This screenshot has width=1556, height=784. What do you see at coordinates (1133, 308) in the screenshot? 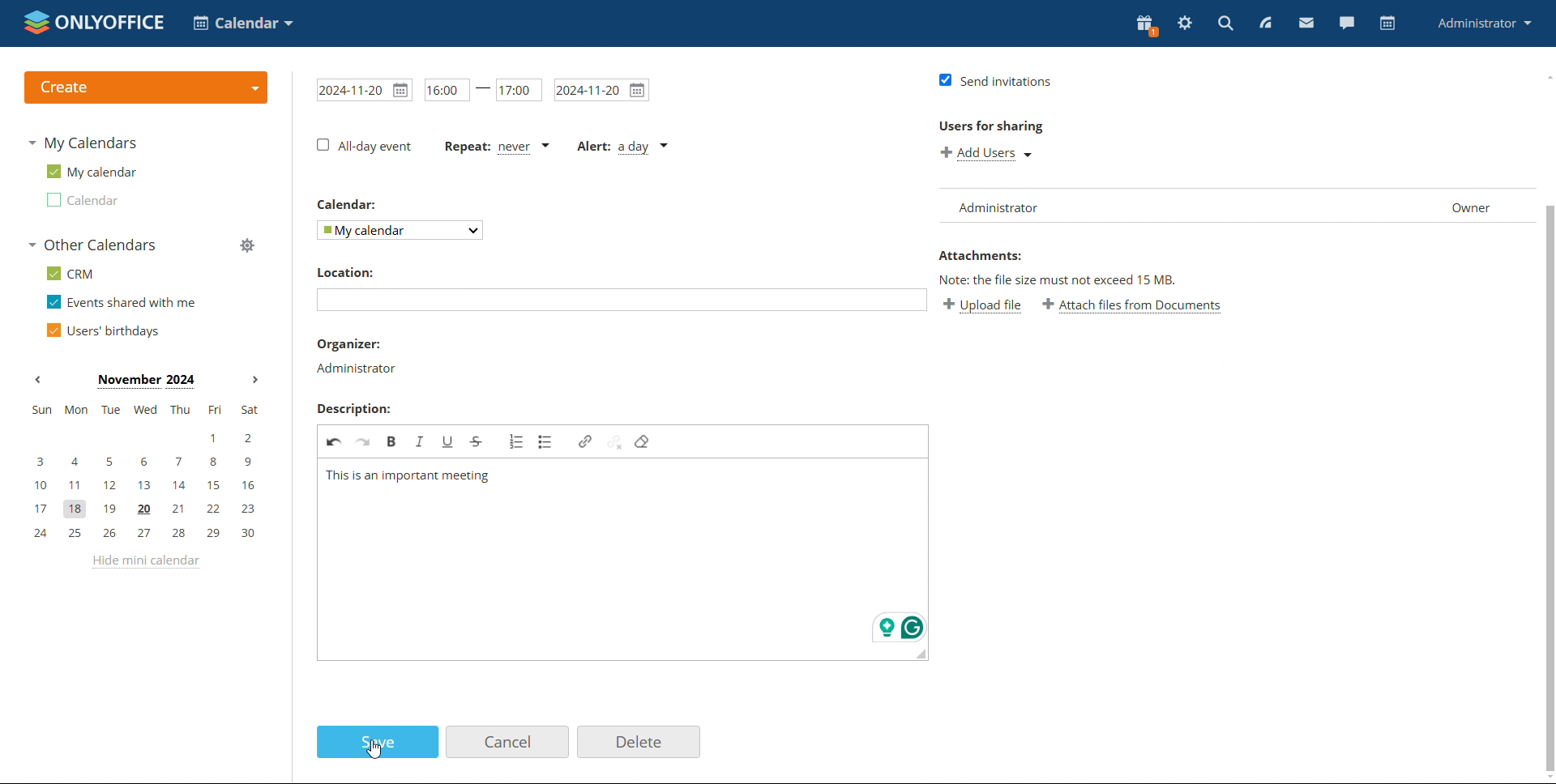
I see `attach file from documents` at bounding box center [1133, 308].